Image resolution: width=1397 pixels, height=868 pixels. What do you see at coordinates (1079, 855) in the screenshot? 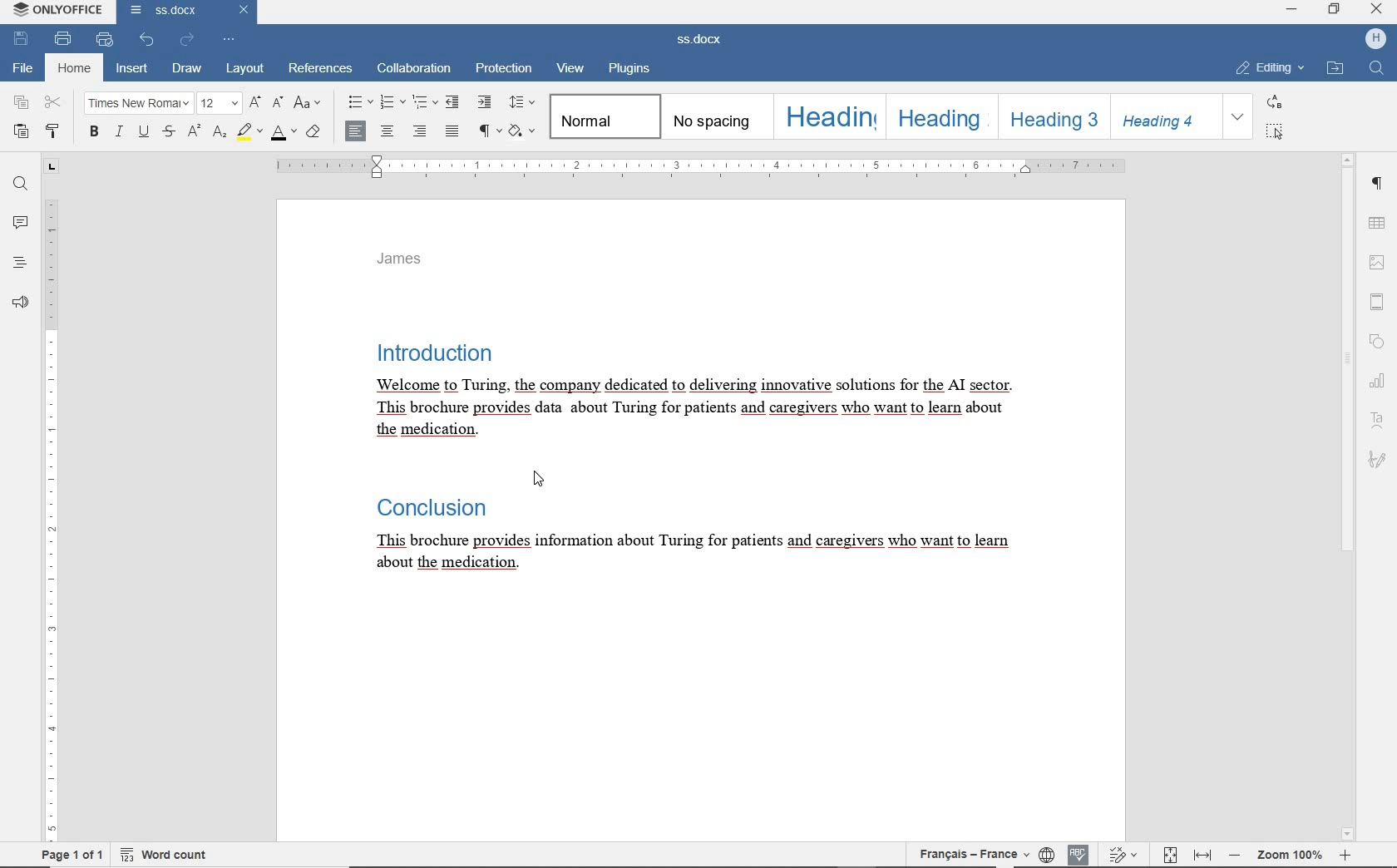
I see `SPELL CHECKING` at bounding box center [1079, 855].